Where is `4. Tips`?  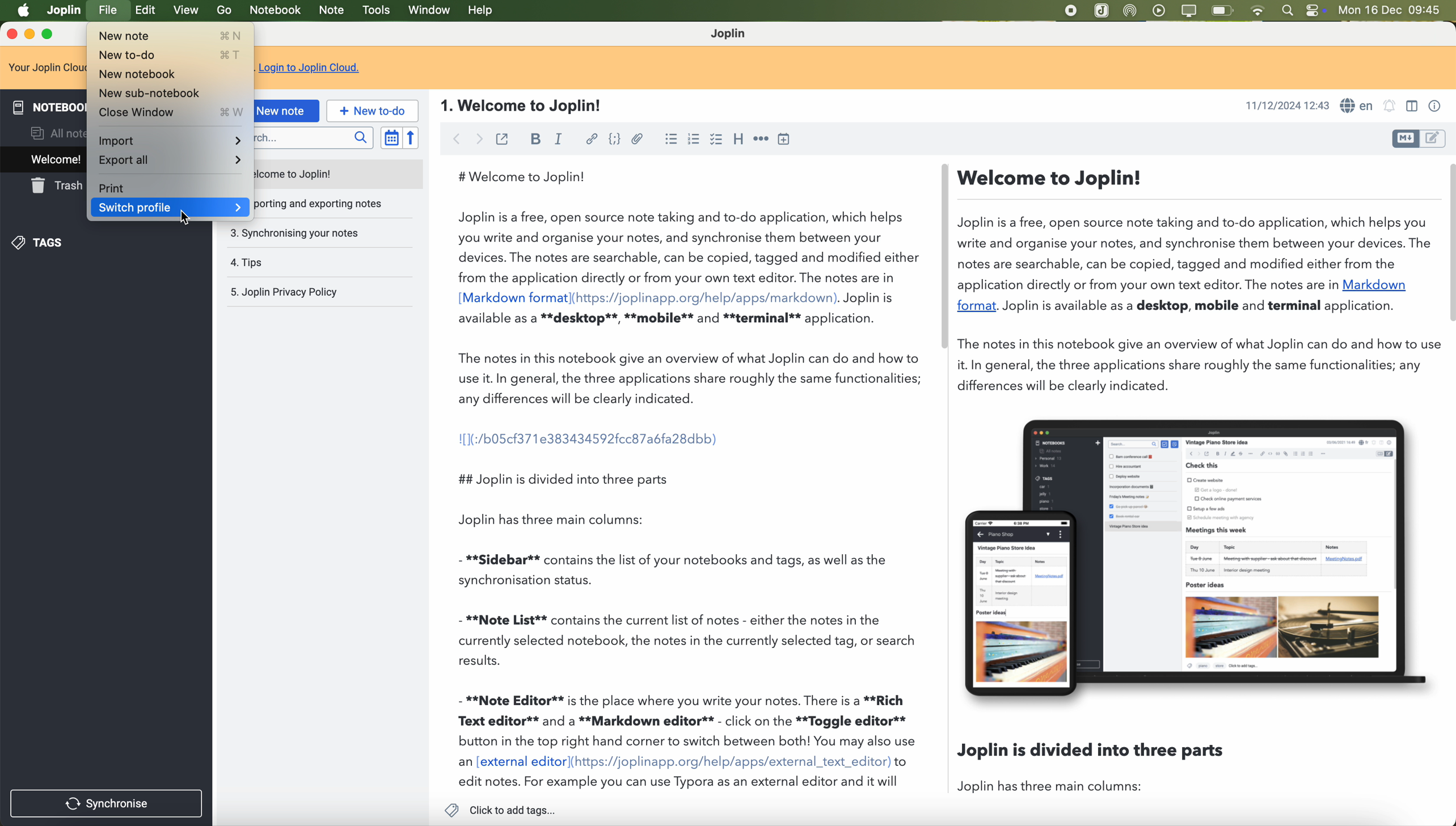
4. Tips is located at coordinates (286, 263).